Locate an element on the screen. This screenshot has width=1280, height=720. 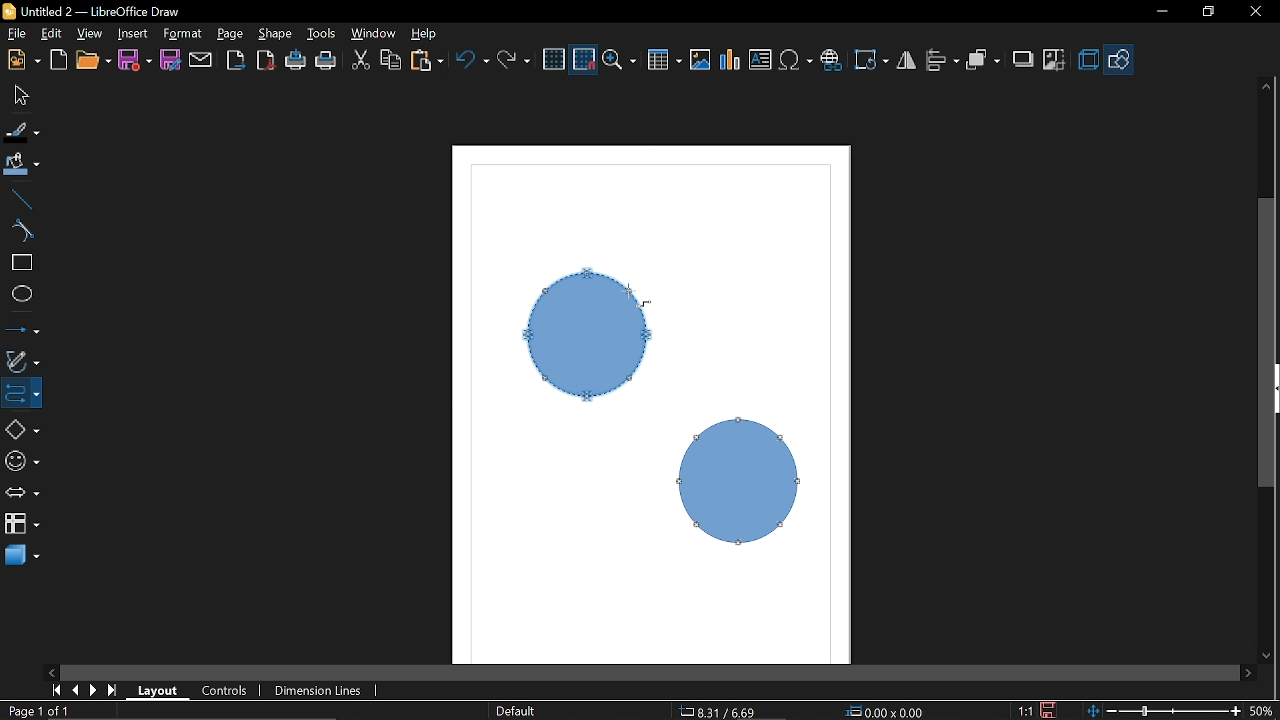
Format is located at coordinates (181, 35).